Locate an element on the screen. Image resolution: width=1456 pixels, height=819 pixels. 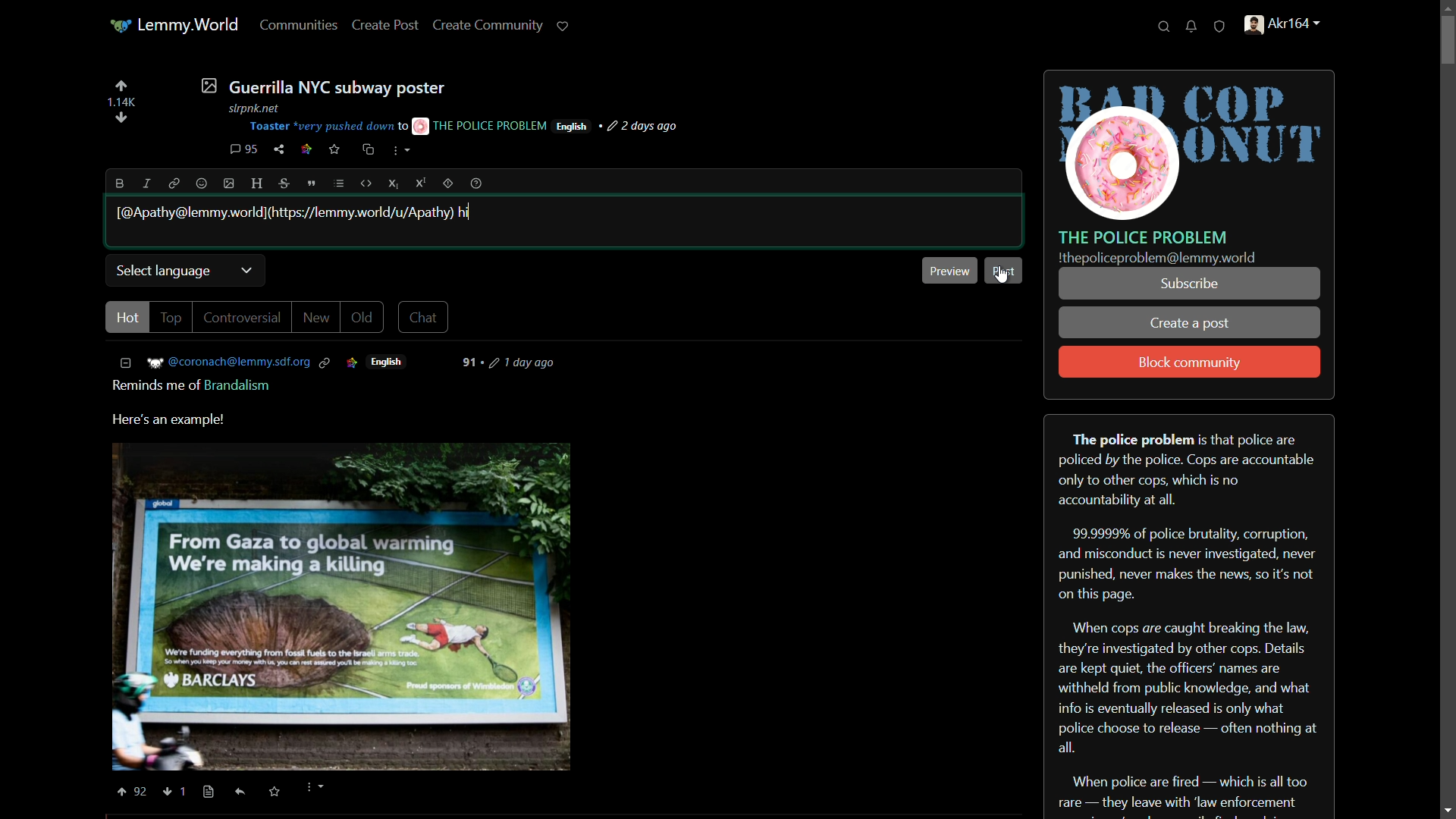
communities  is located at coordinates (300, 24).